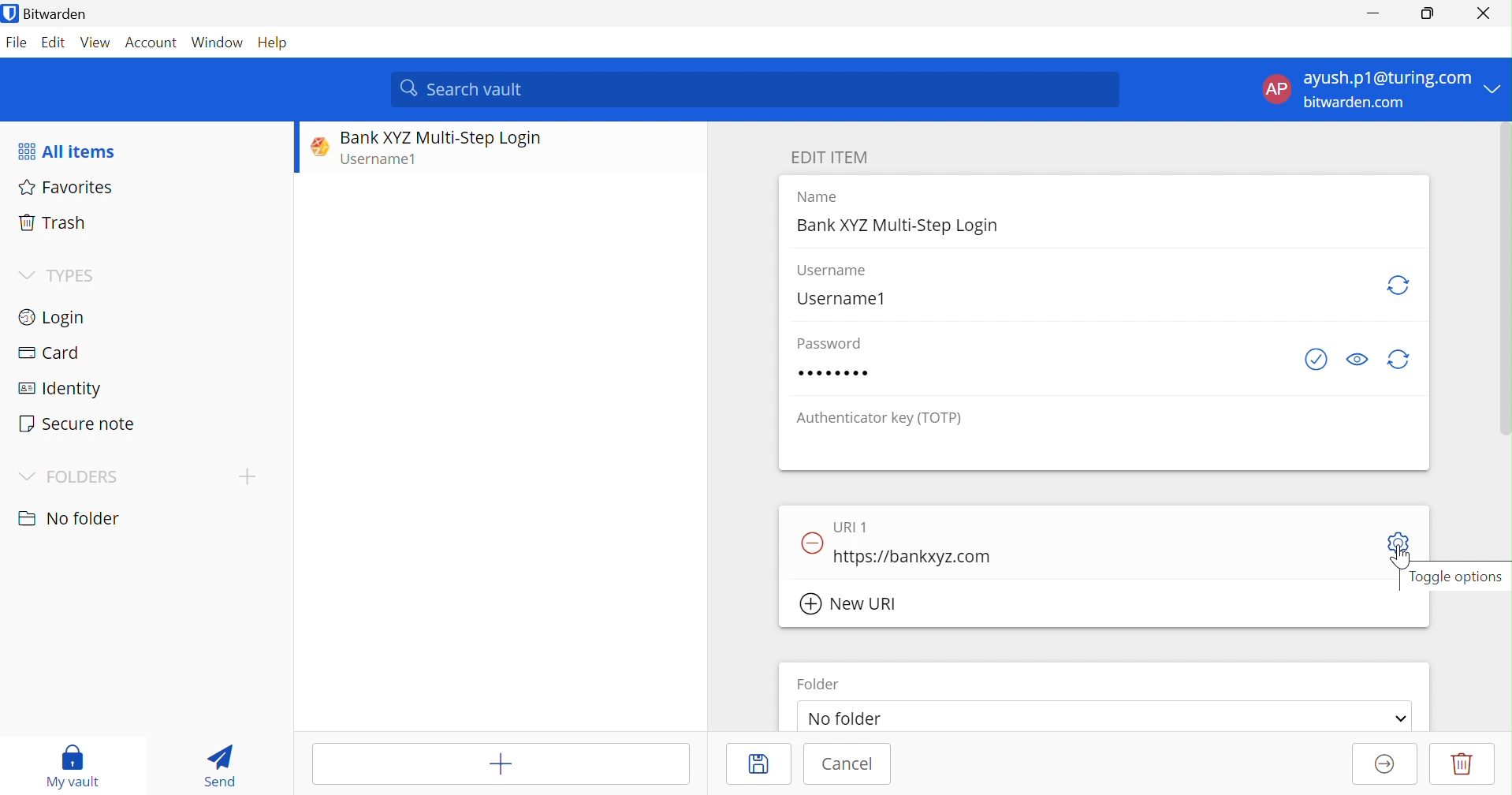 This screenshot has height=795, width=1512. Describe the element at coordinates (1385, 765) in the screenshot. I see `Move to organisation` at that location.